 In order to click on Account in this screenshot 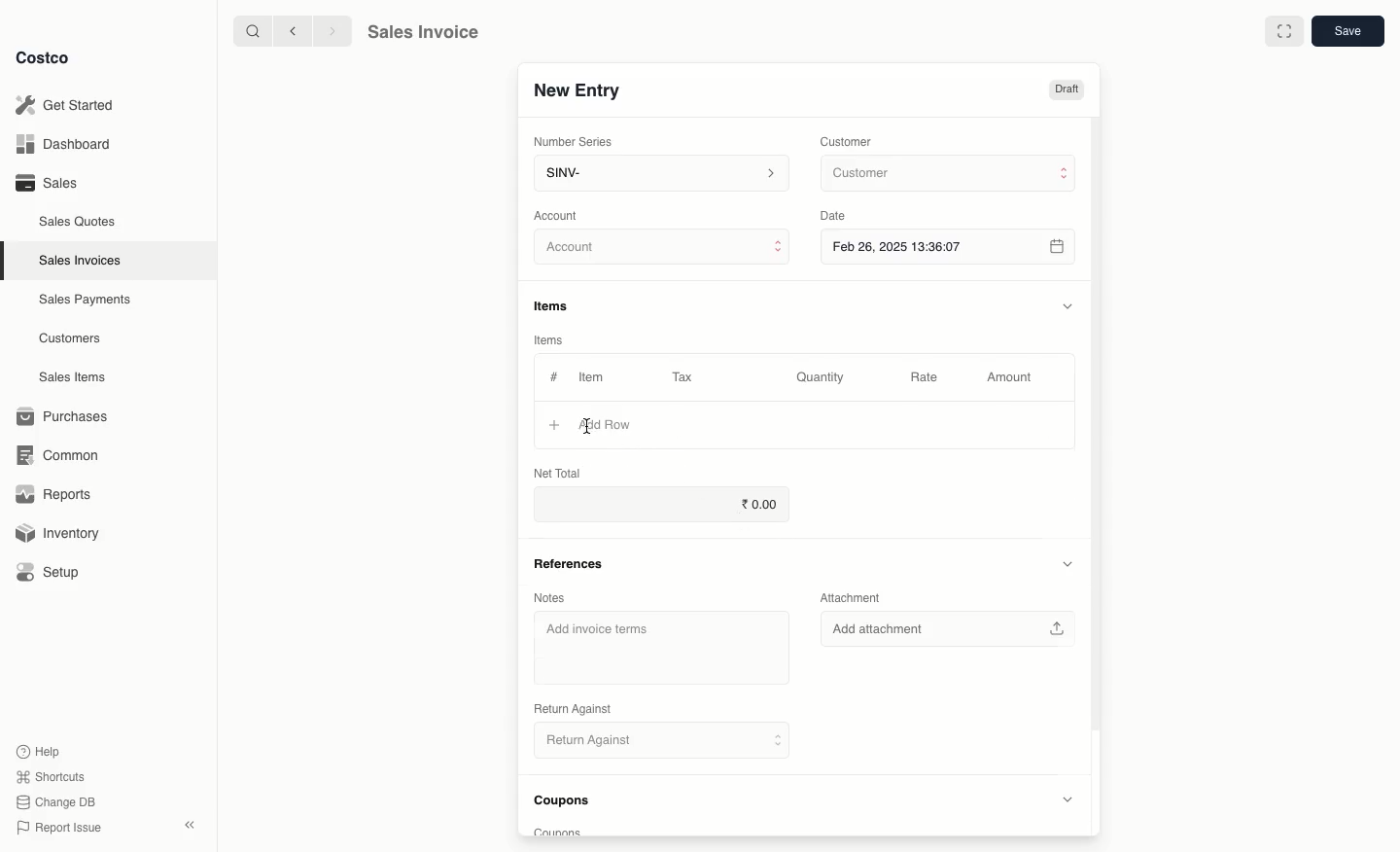, I will do `click(663, 250)`.